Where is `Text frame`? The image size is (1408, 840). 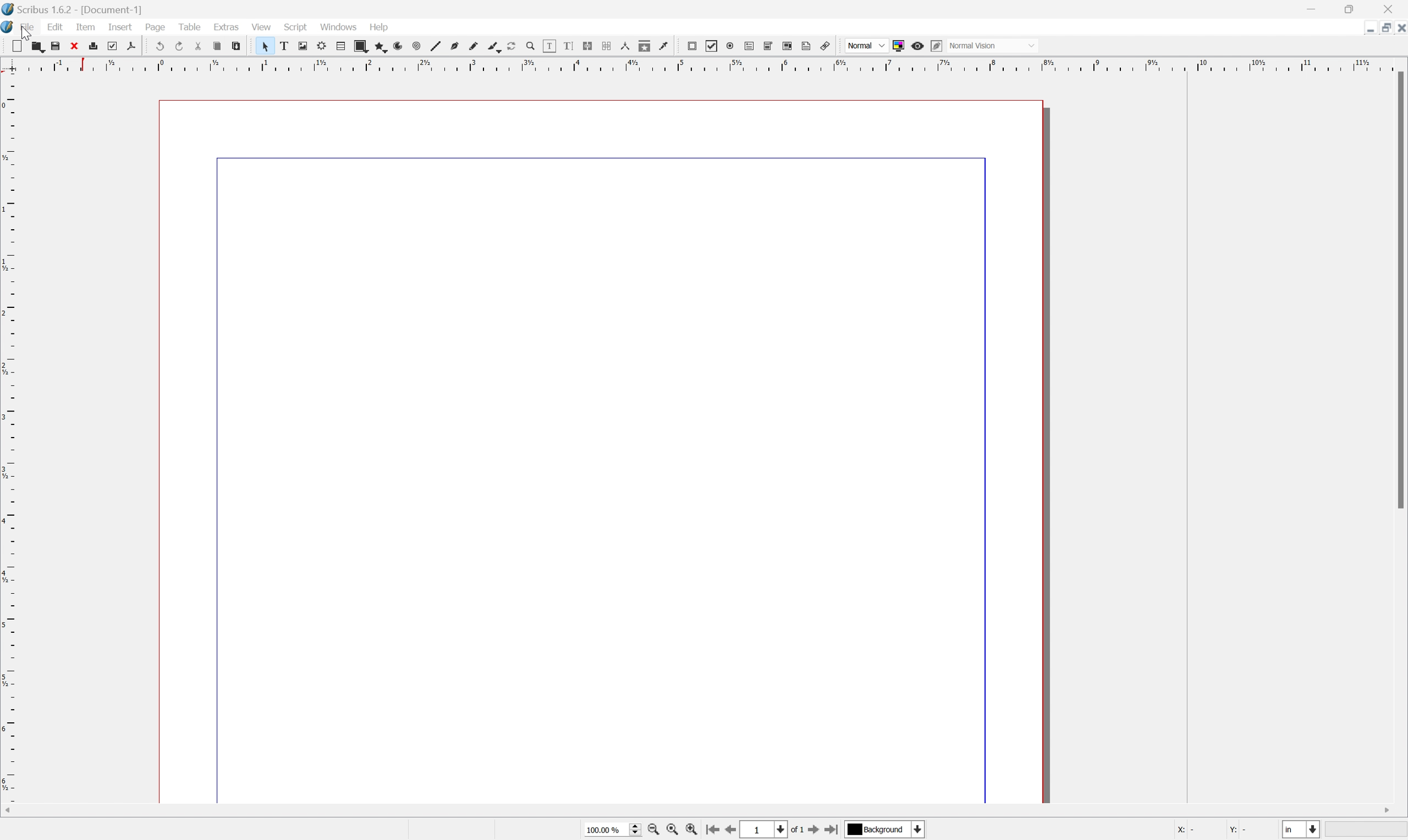 Text frame is located at coordinates (284, 46).